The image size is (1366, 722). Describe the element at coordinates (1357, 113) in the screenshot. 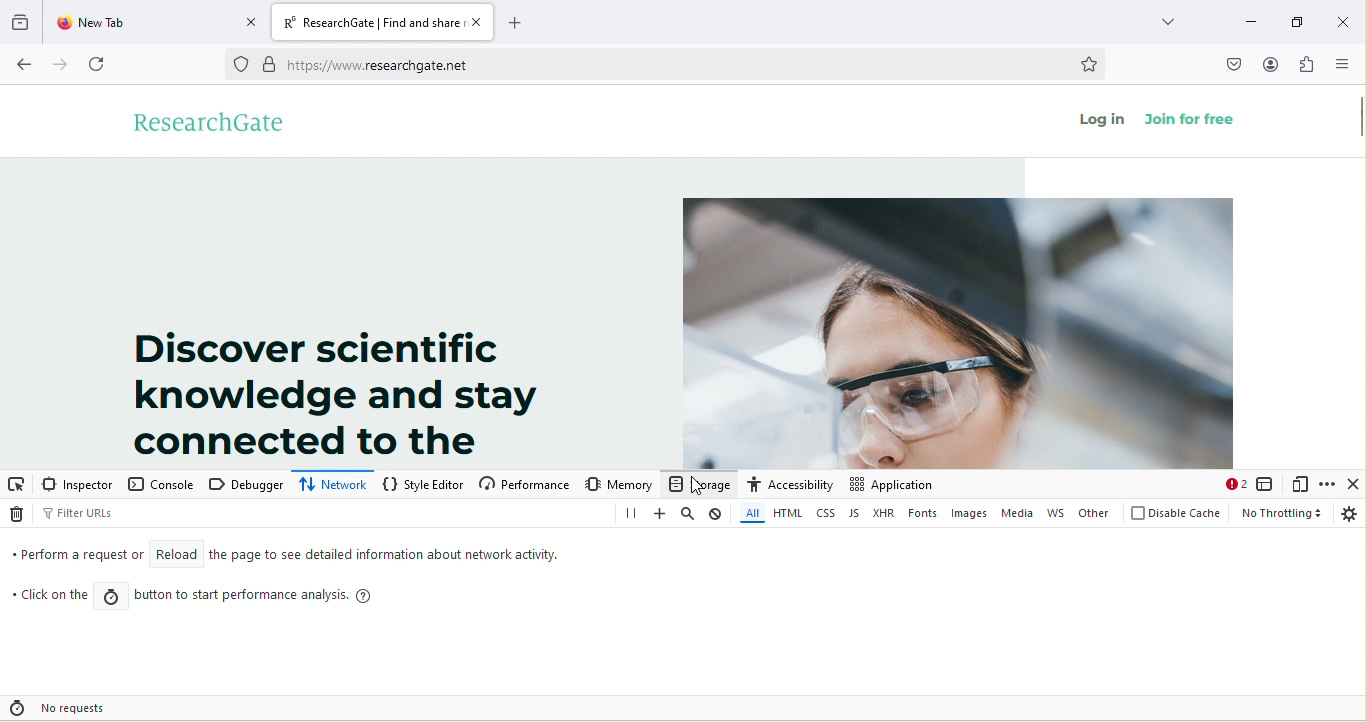

I see `vertical scroll bar` at that location.